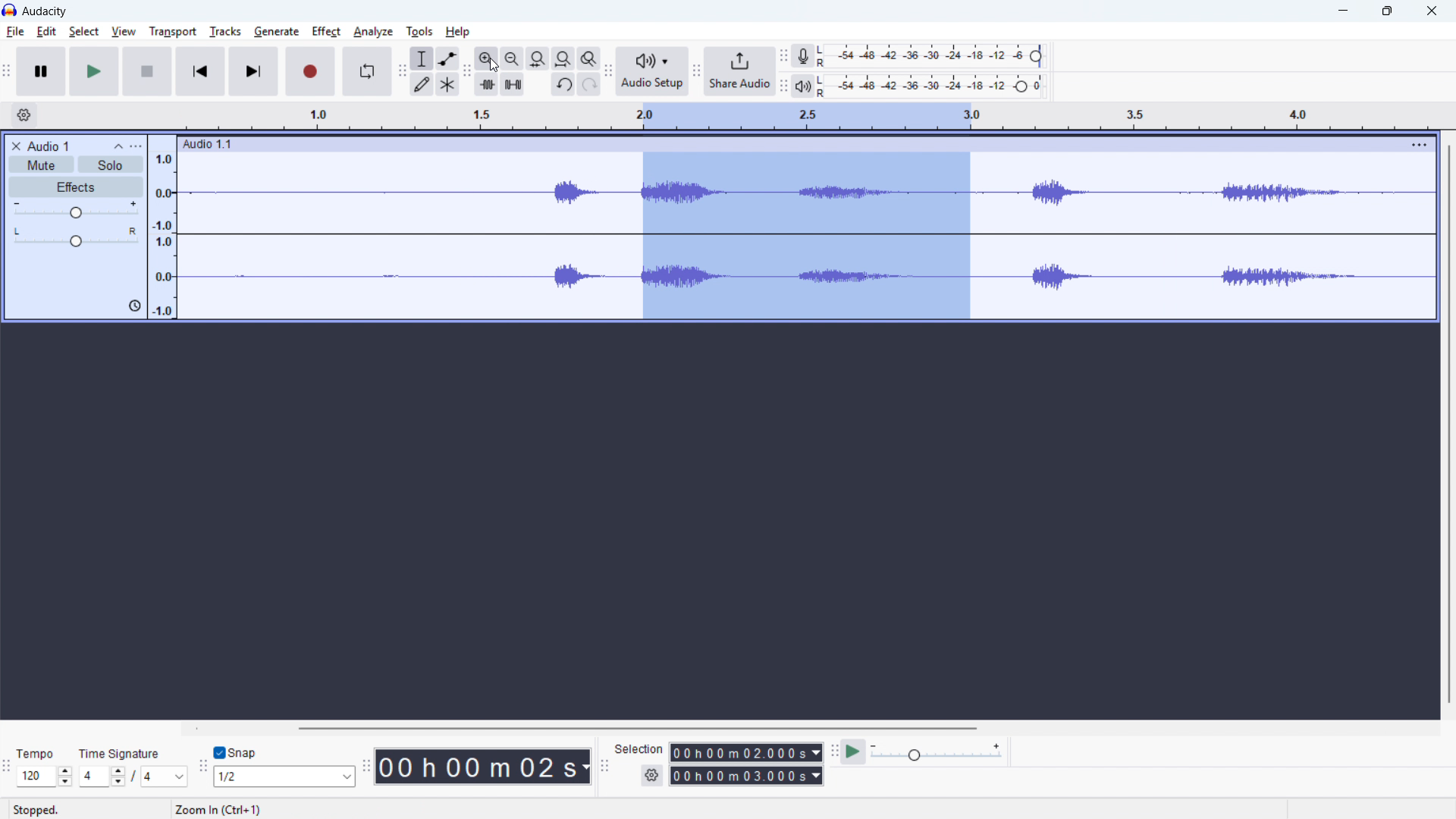  I want to click on Analyse, so click(374, 33).